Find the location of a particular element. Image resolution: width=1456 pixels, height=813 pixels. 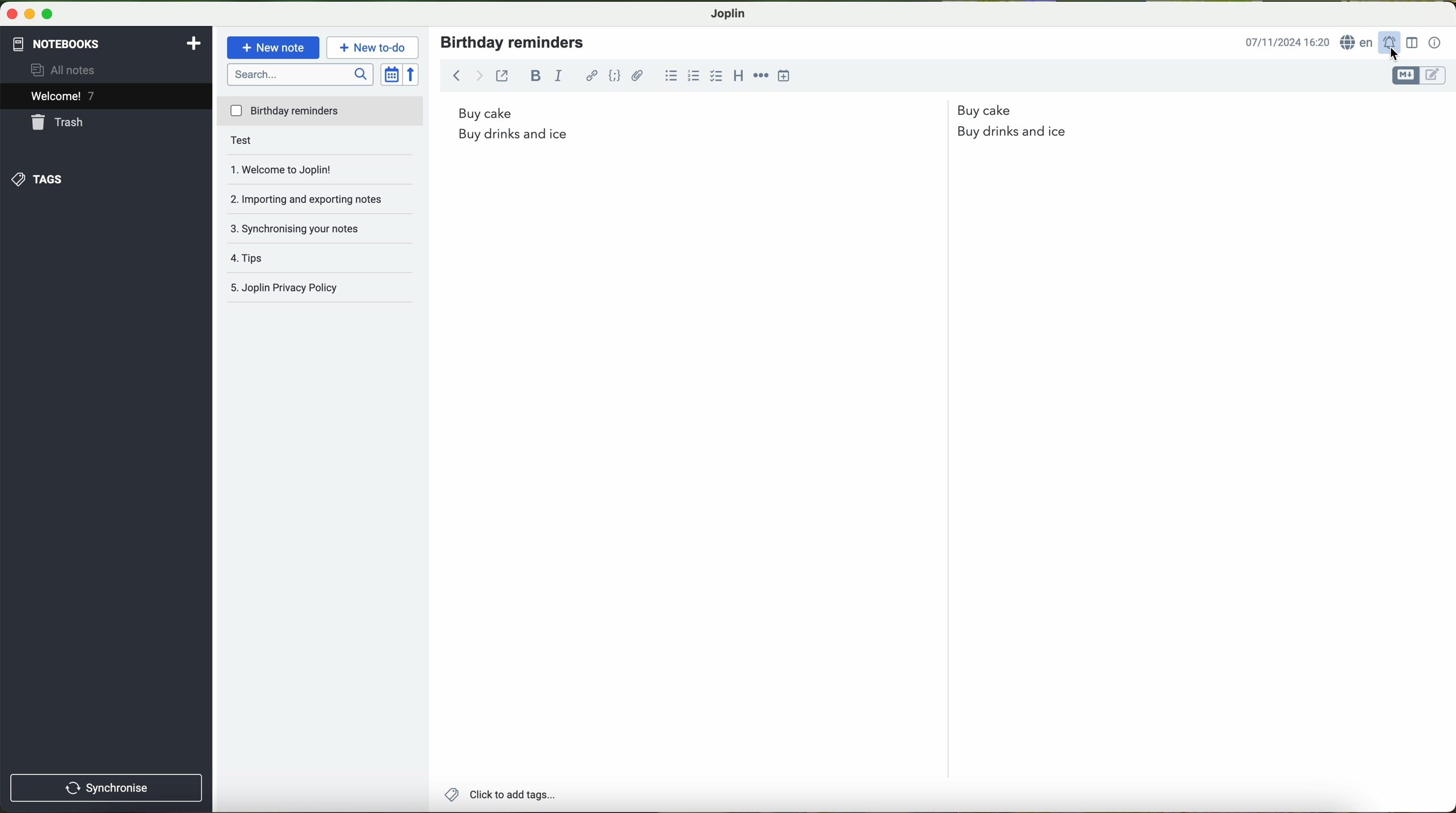

screen buttons is located at coordinates (33, 13).